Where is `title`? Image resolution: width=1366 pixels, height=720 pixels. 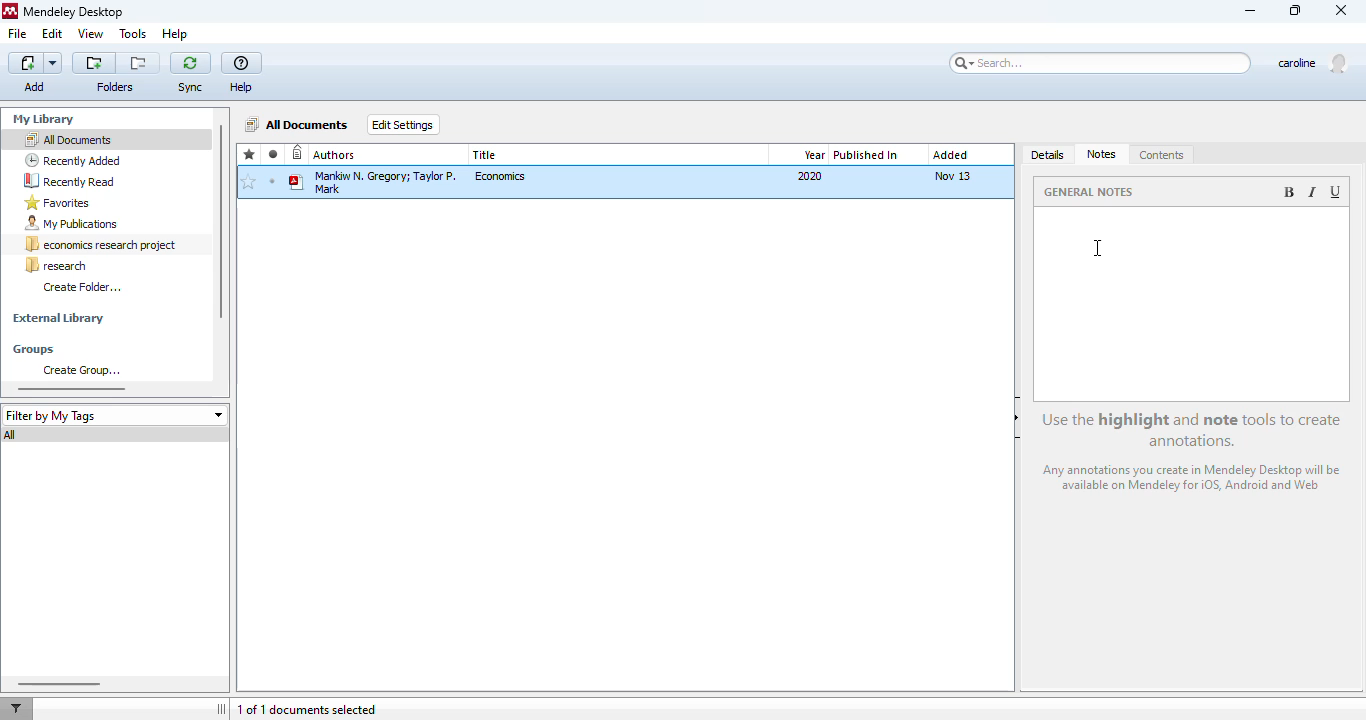 title is located at coordinates (486, 155).